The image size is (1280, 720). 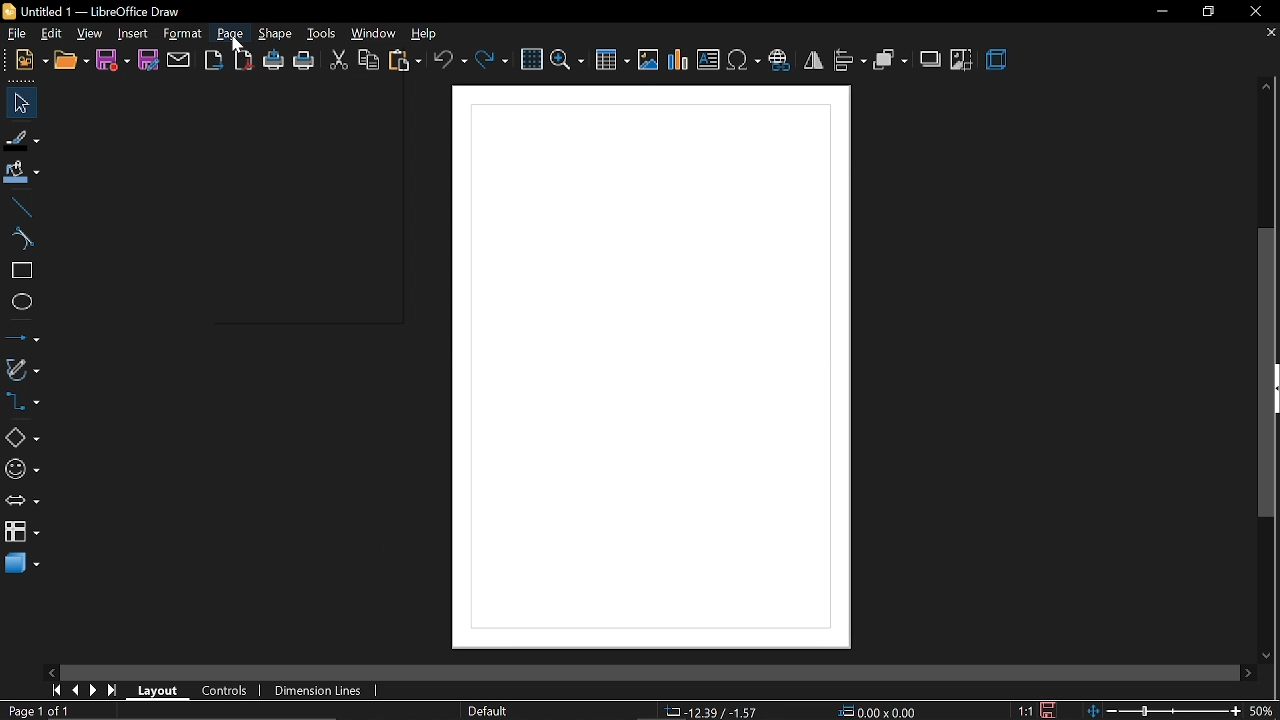 I want to click on flowchart, so click(x=22, y=530).